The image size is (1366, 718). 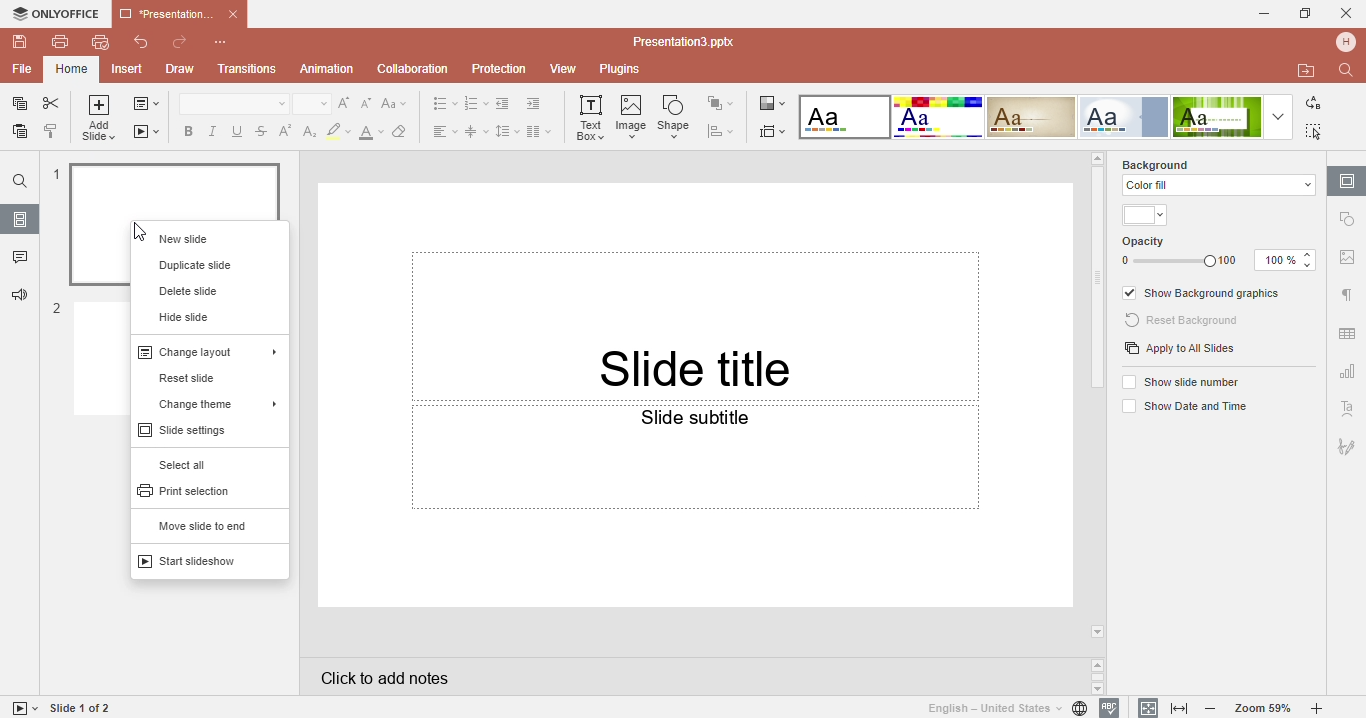 I want to click on Reset background, so click(x=1185, y=321).